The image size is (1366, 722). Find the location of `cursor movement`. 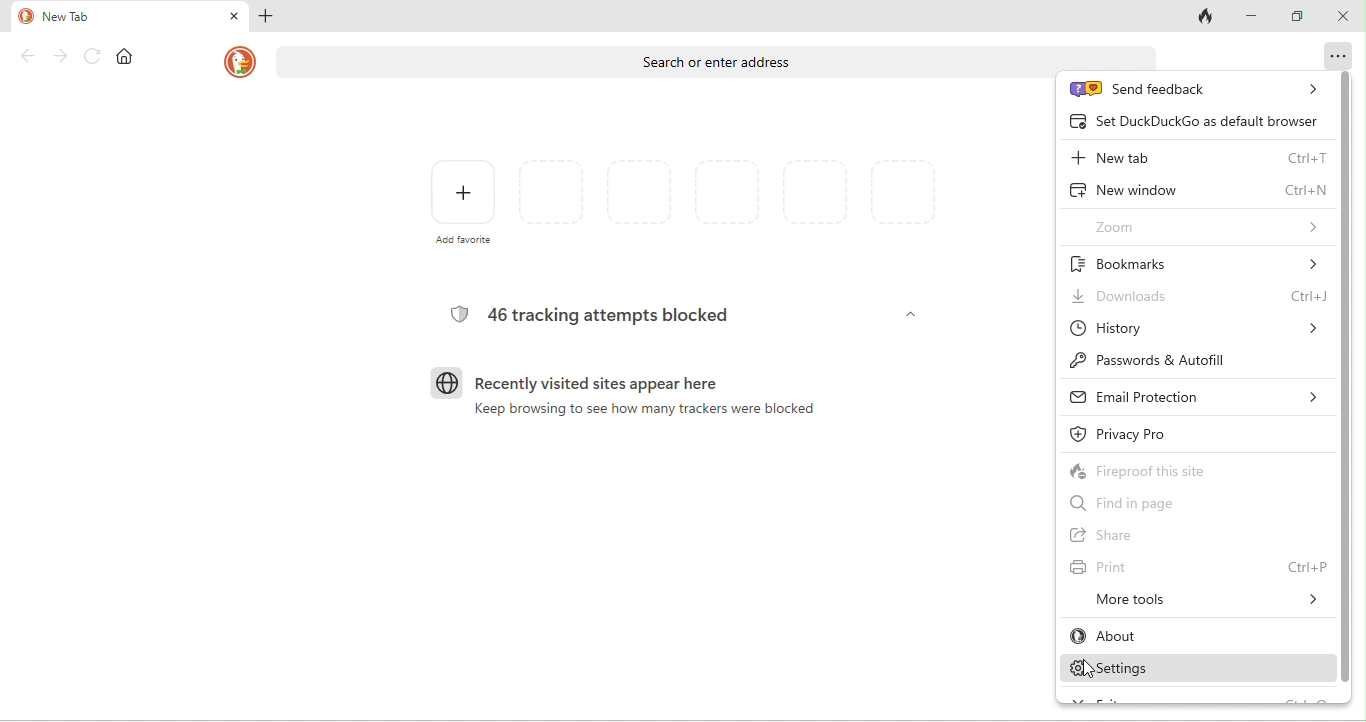

cursor movement is located at coordinates (1086, 671).